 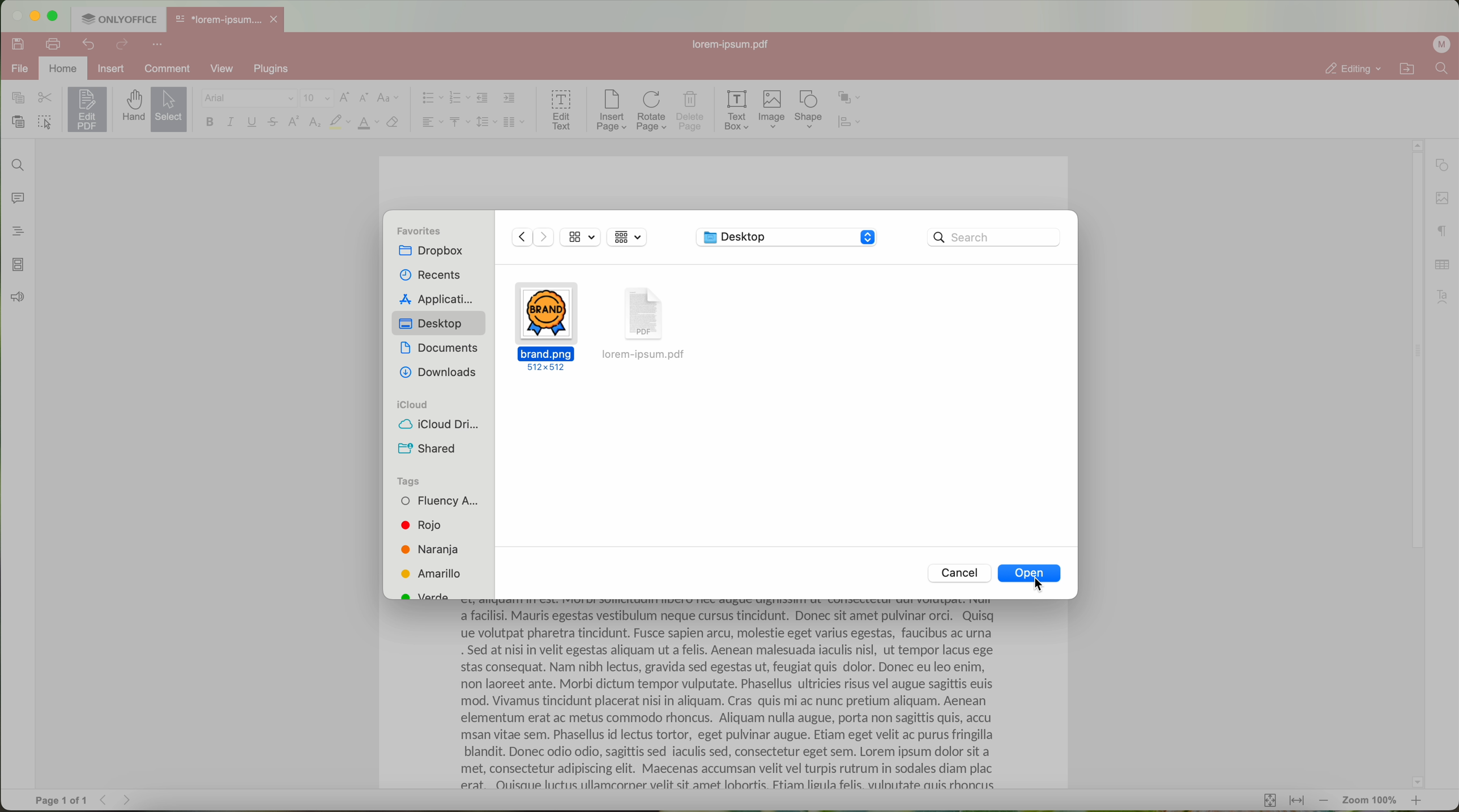 I want to click on change case, so click(x=388, y=98).